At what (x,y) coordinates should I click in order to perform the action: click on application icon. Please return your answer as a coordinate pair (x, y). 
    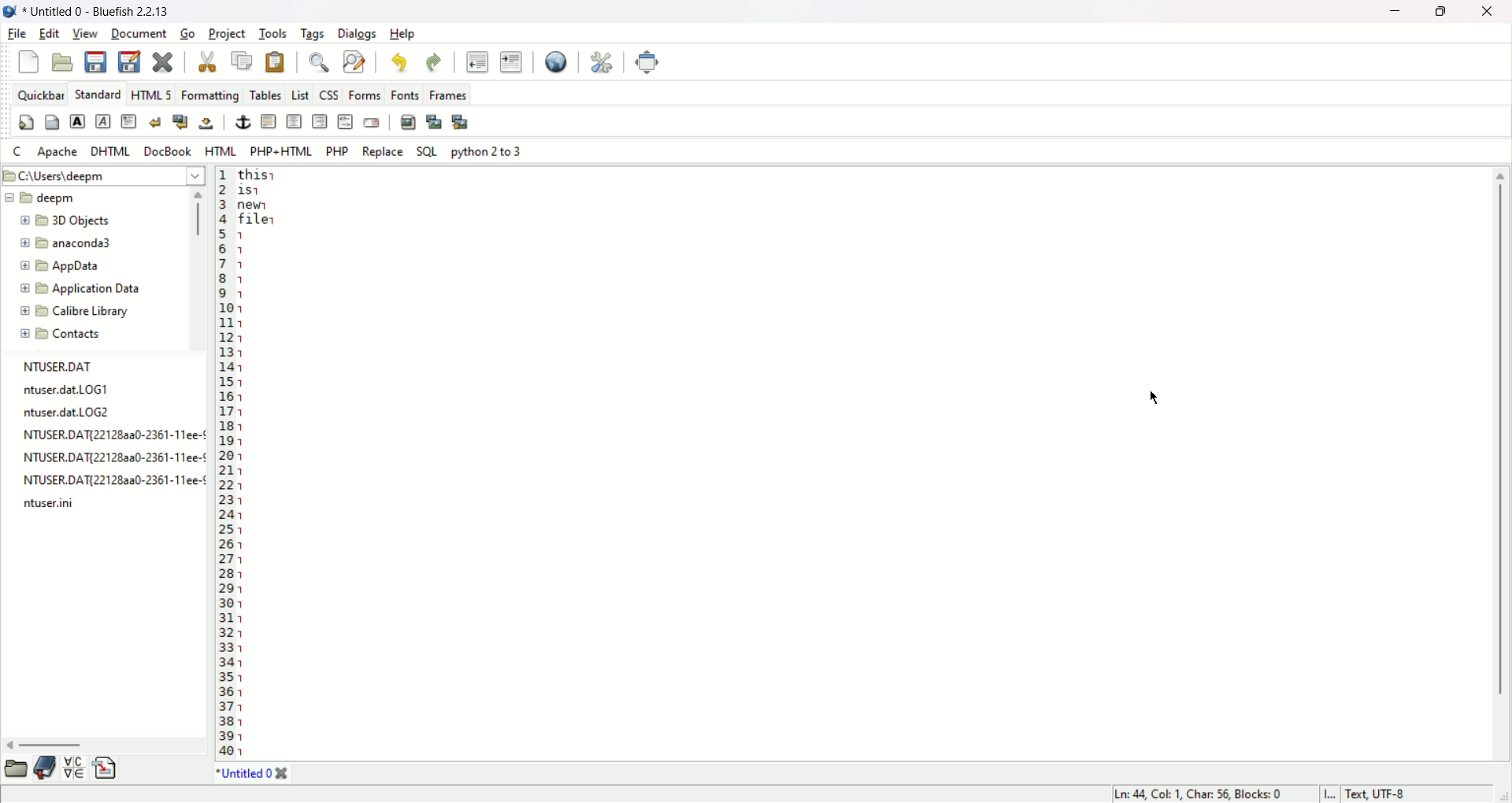
    Looking at the image, I should click on (10, 12).